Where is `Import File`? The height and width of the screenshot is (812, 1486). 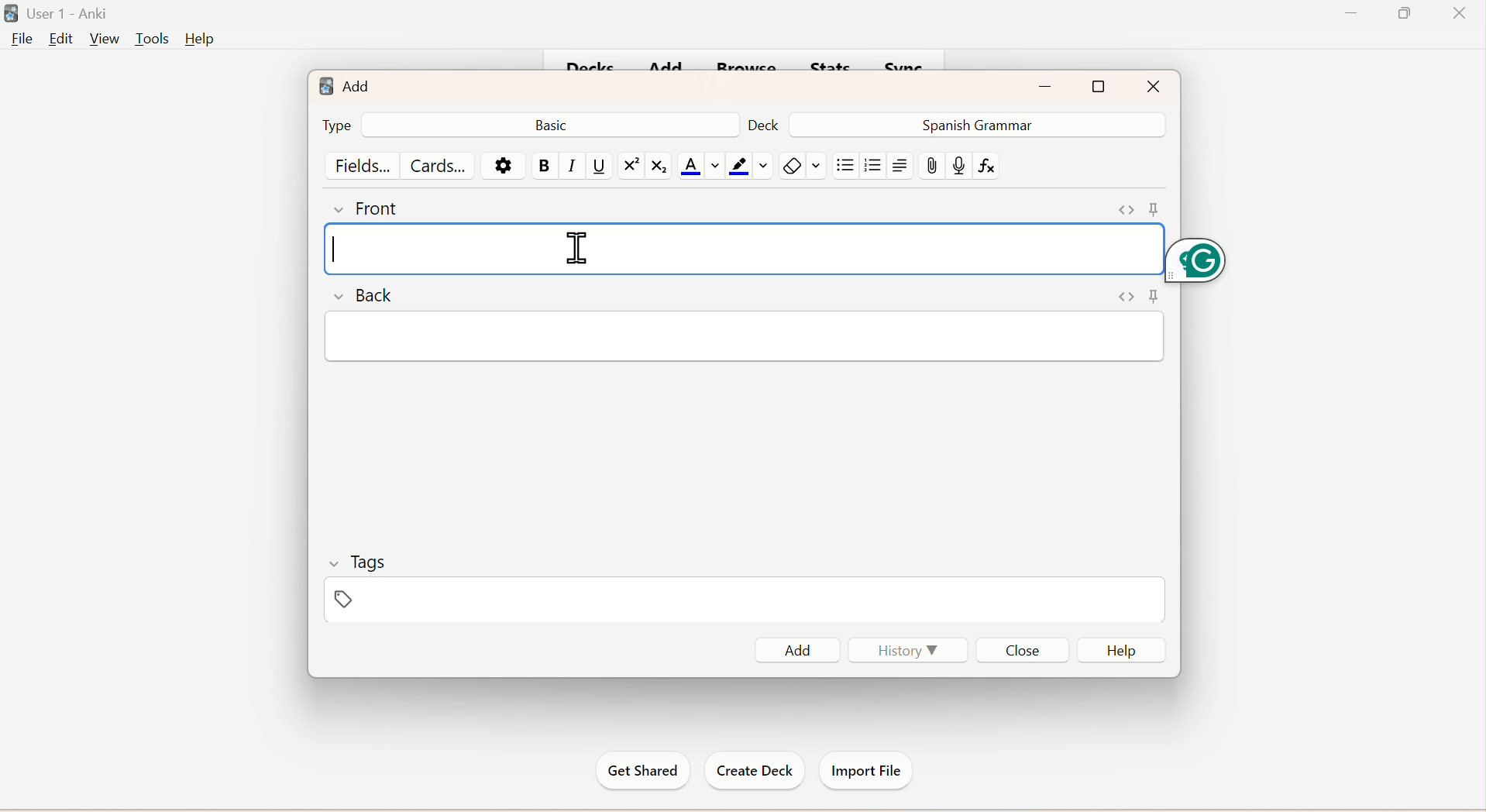
Import File is located at coordinates (865, 769).